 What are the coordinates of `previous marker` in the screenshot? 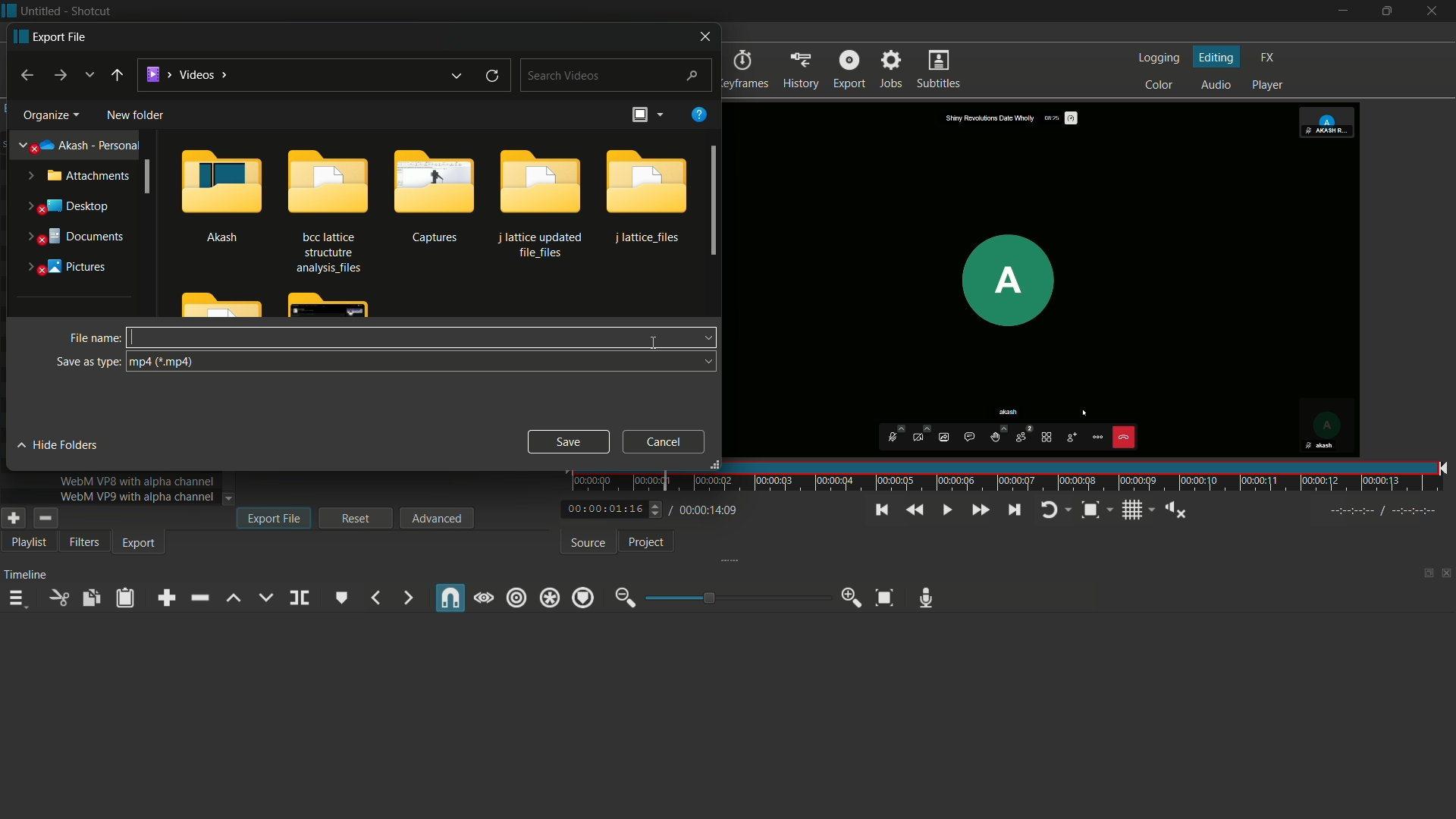 It's located at (375, 598).